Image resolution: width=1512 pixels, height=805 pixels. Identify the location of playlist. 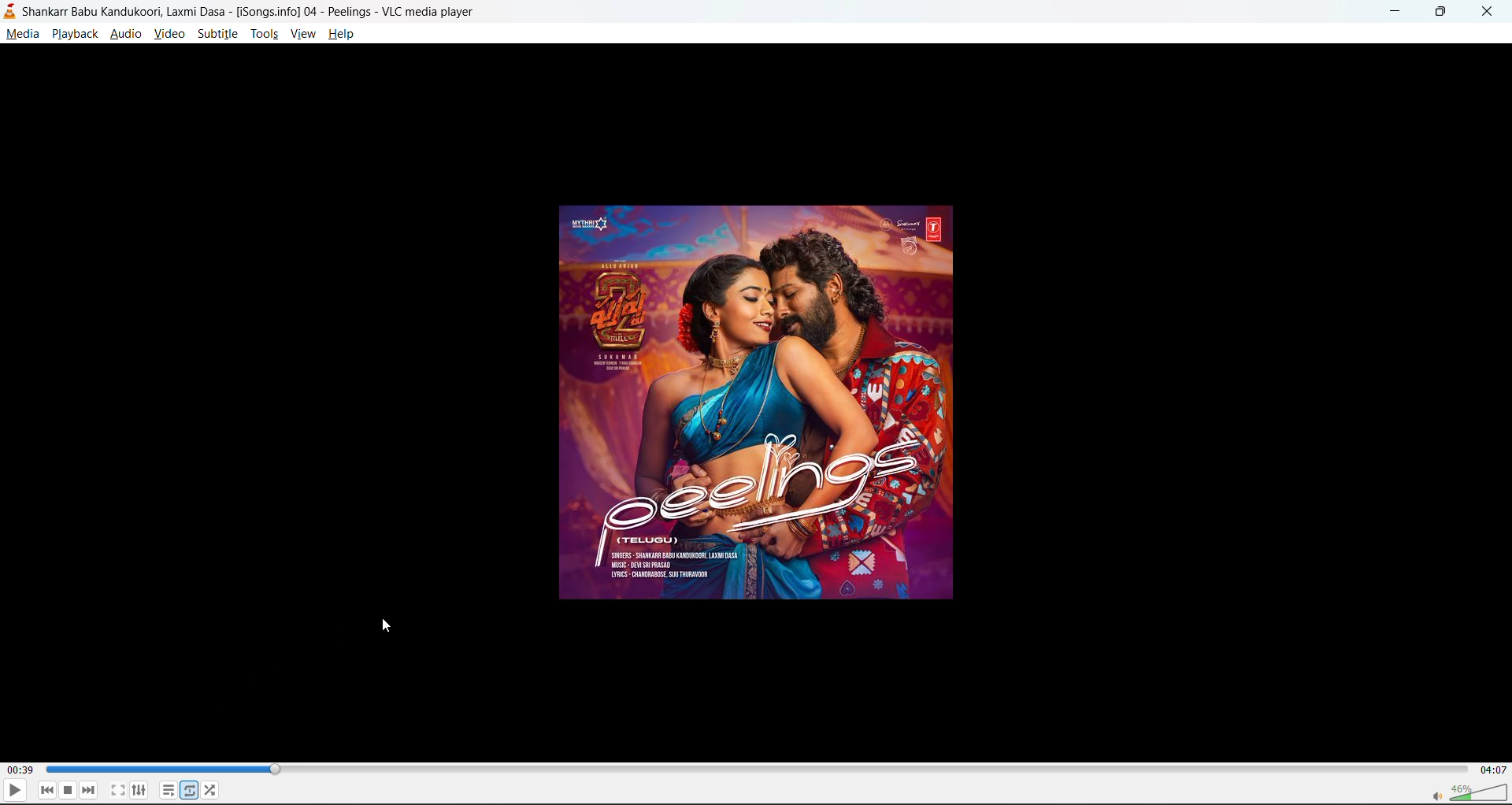
(165, 789).